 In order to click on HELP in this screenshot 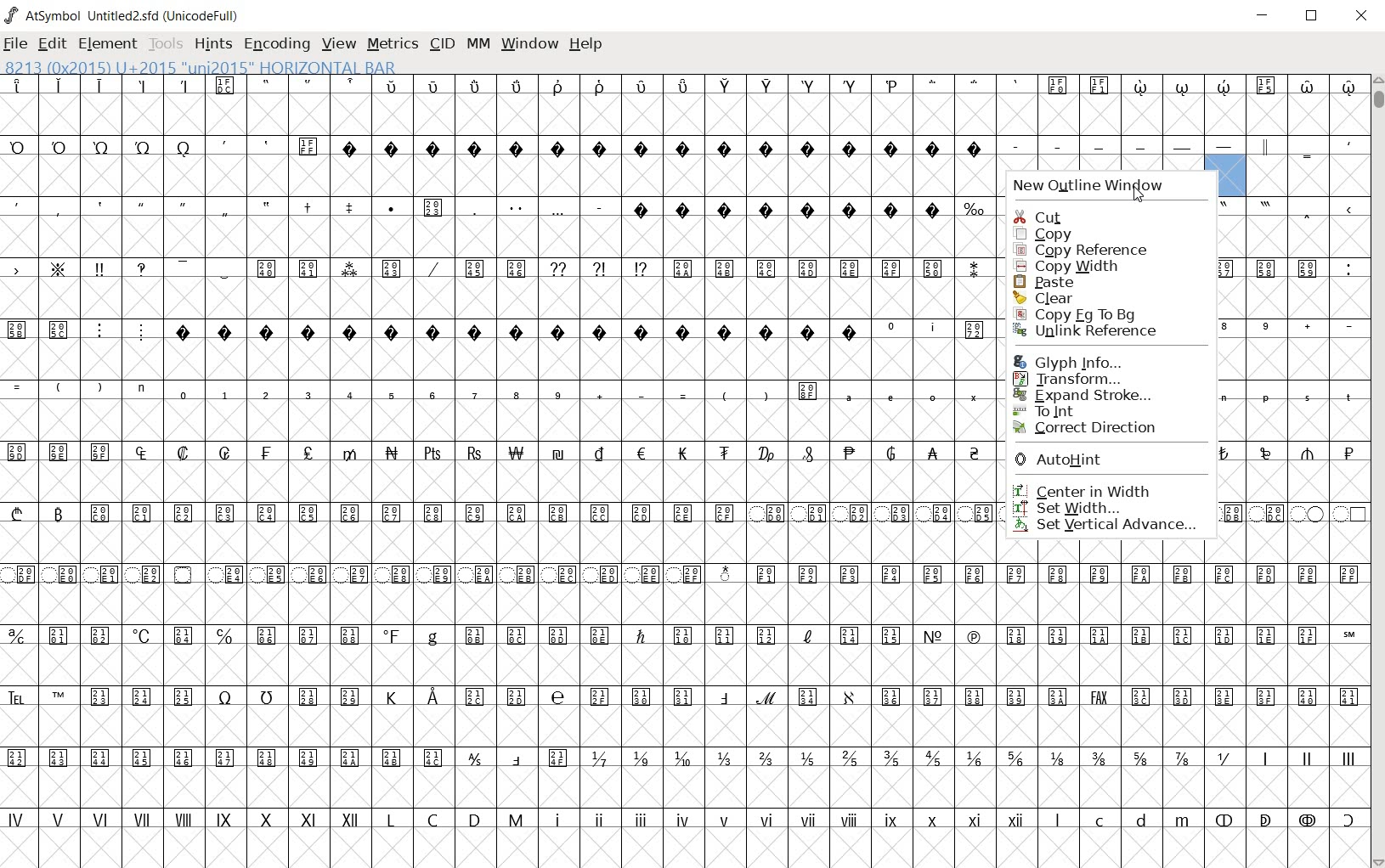, I will do `click(588, 43)`.